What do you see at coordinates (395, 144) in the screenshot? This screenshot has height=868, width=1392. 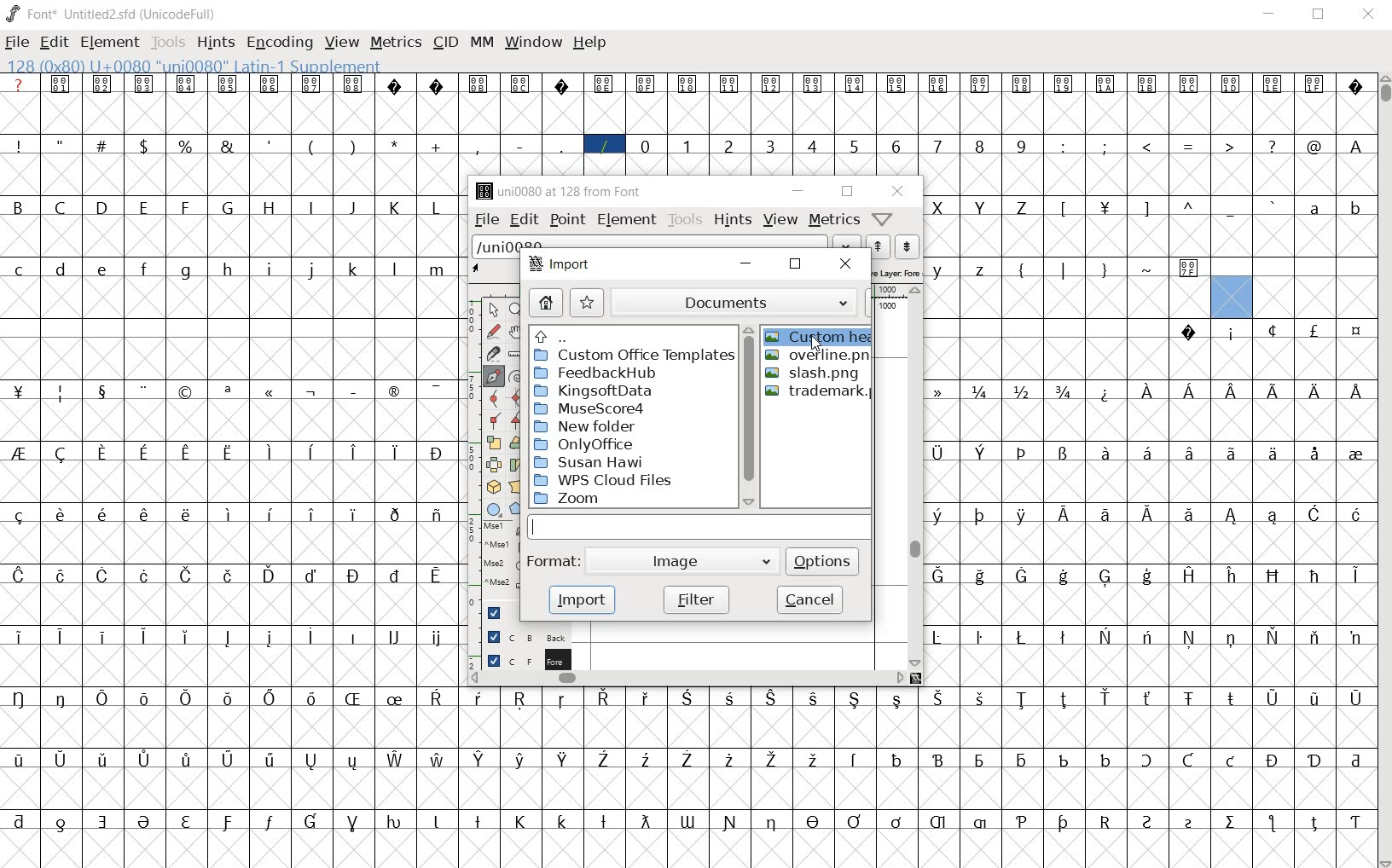 I see `glyph` at bounding box center [395, 144].